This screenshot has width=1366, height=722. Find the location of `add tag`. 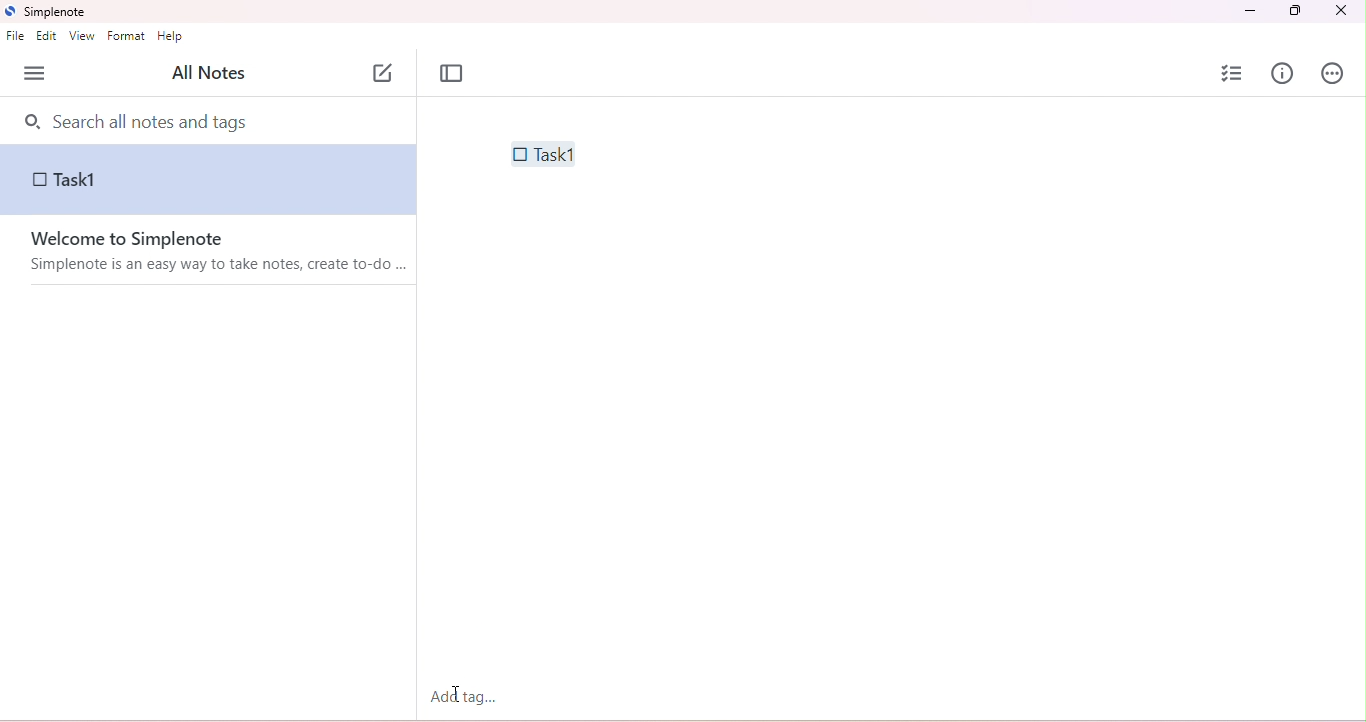

add tag is located at coordinates (463, 696).